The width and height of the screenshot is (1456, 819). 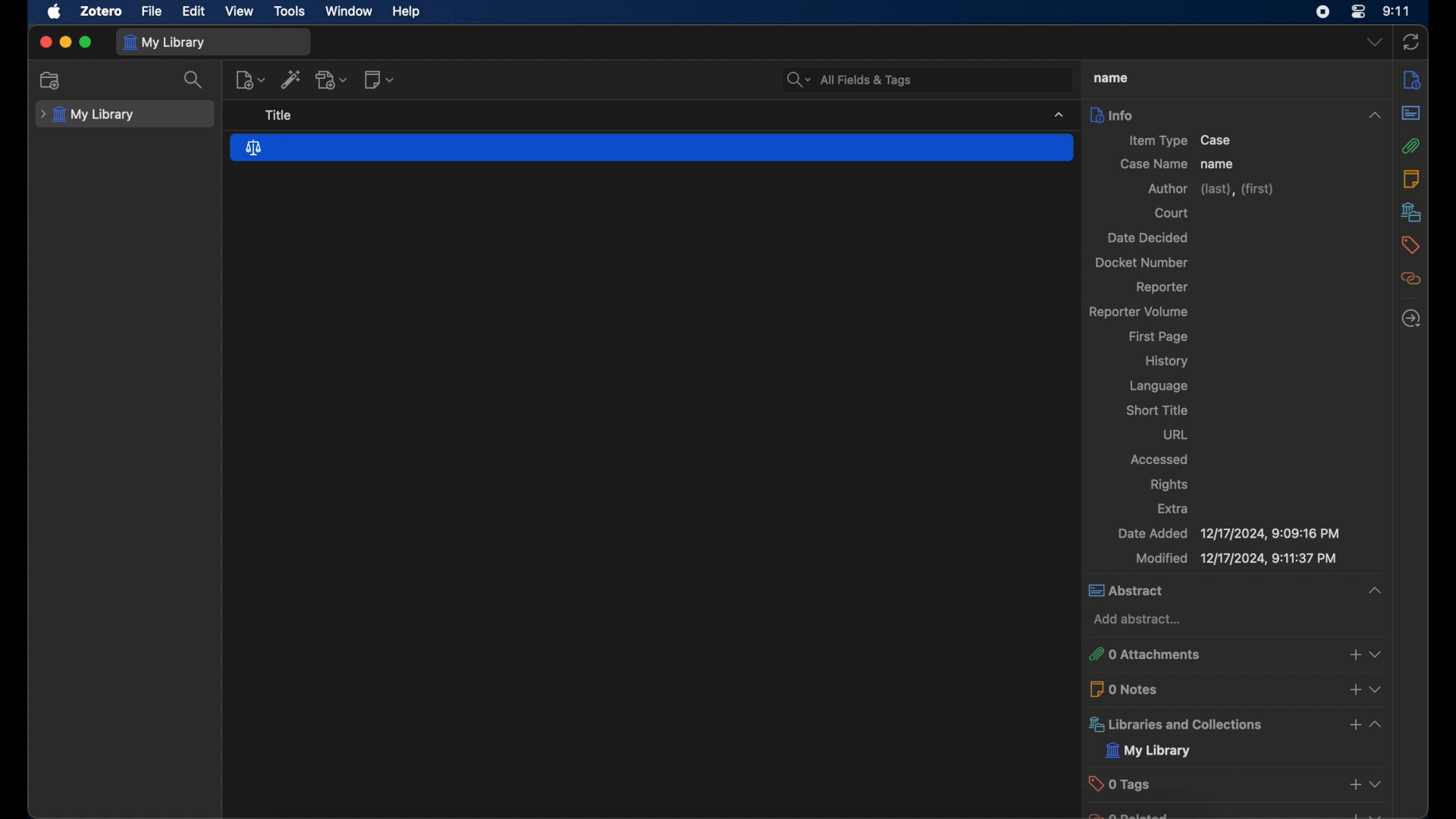 What do you see at coordinates (195, 80) in the screenshot?
I see `search` at bounding box center [195, 80].